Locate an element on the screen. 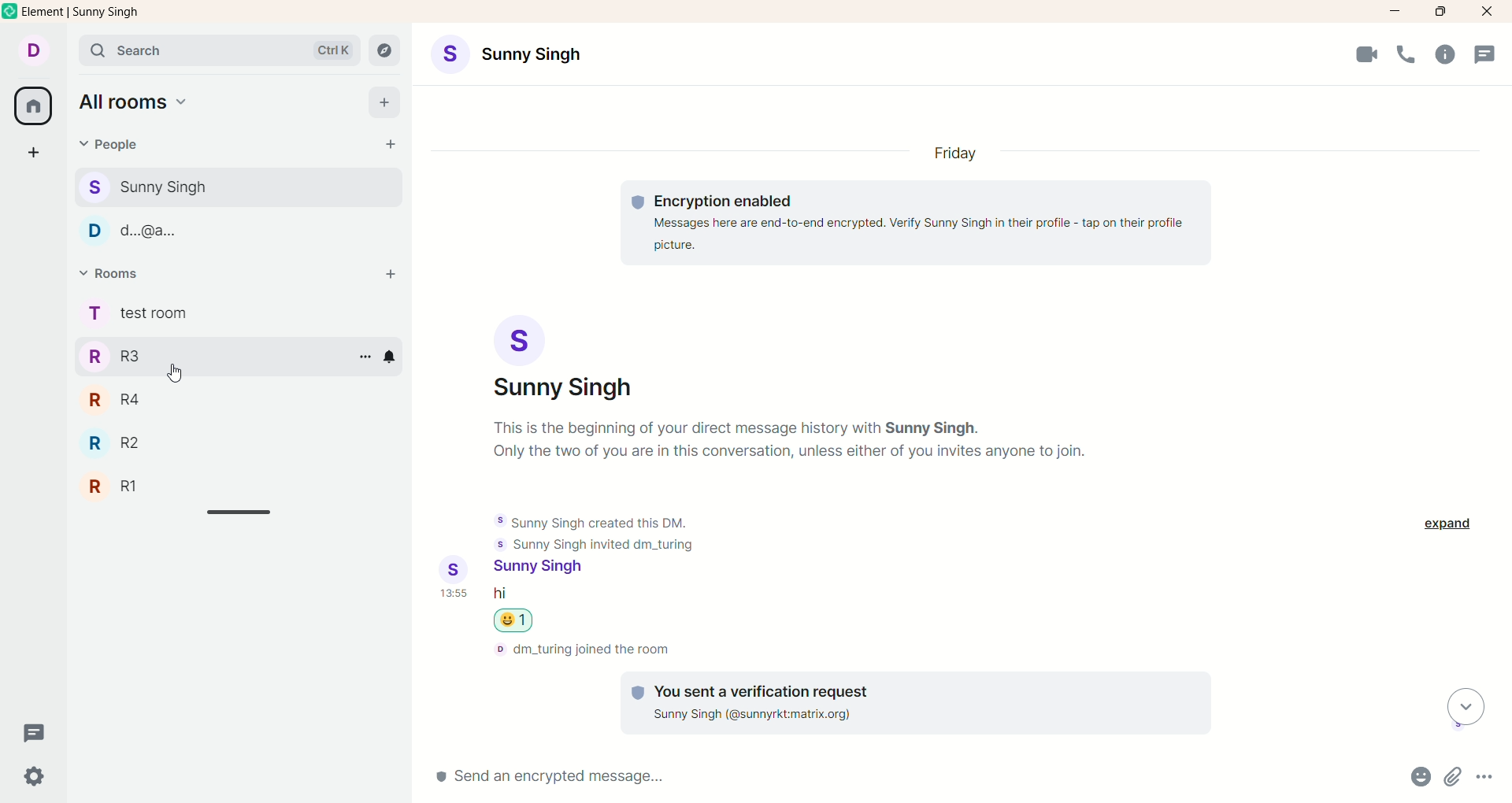 This screenshot has height=803, width=1512. R3 is located at coordinates (120, 359).